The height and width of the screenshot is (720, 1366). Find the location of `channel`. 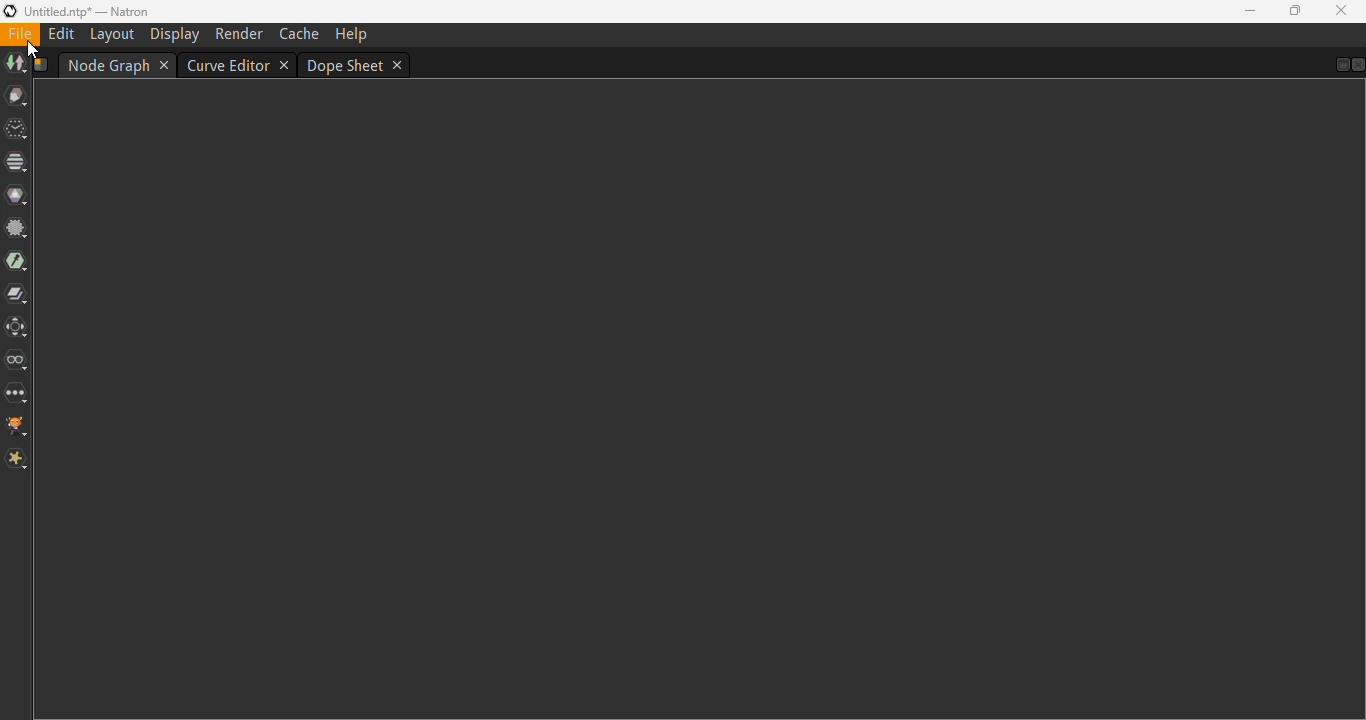

channel is located at coordinates (15, 162).